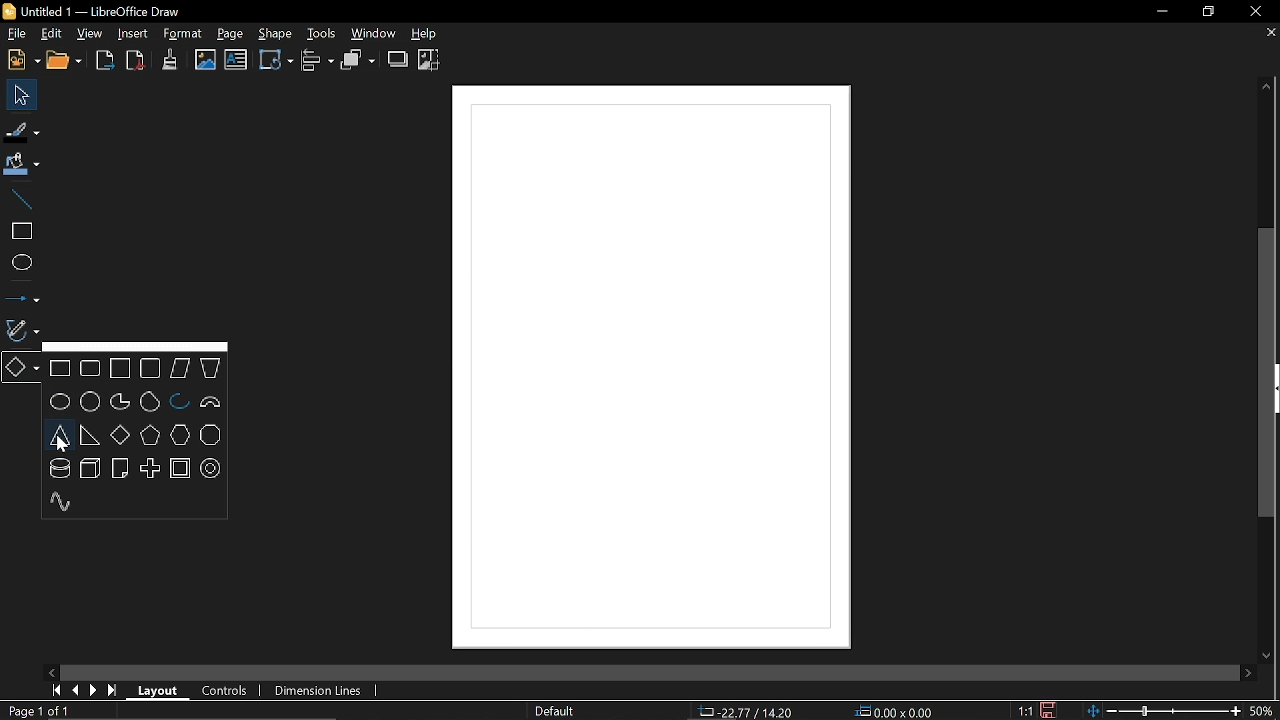 This screenshot has width=1280, height=720. I want to click on Move right, so click(1248, 673).